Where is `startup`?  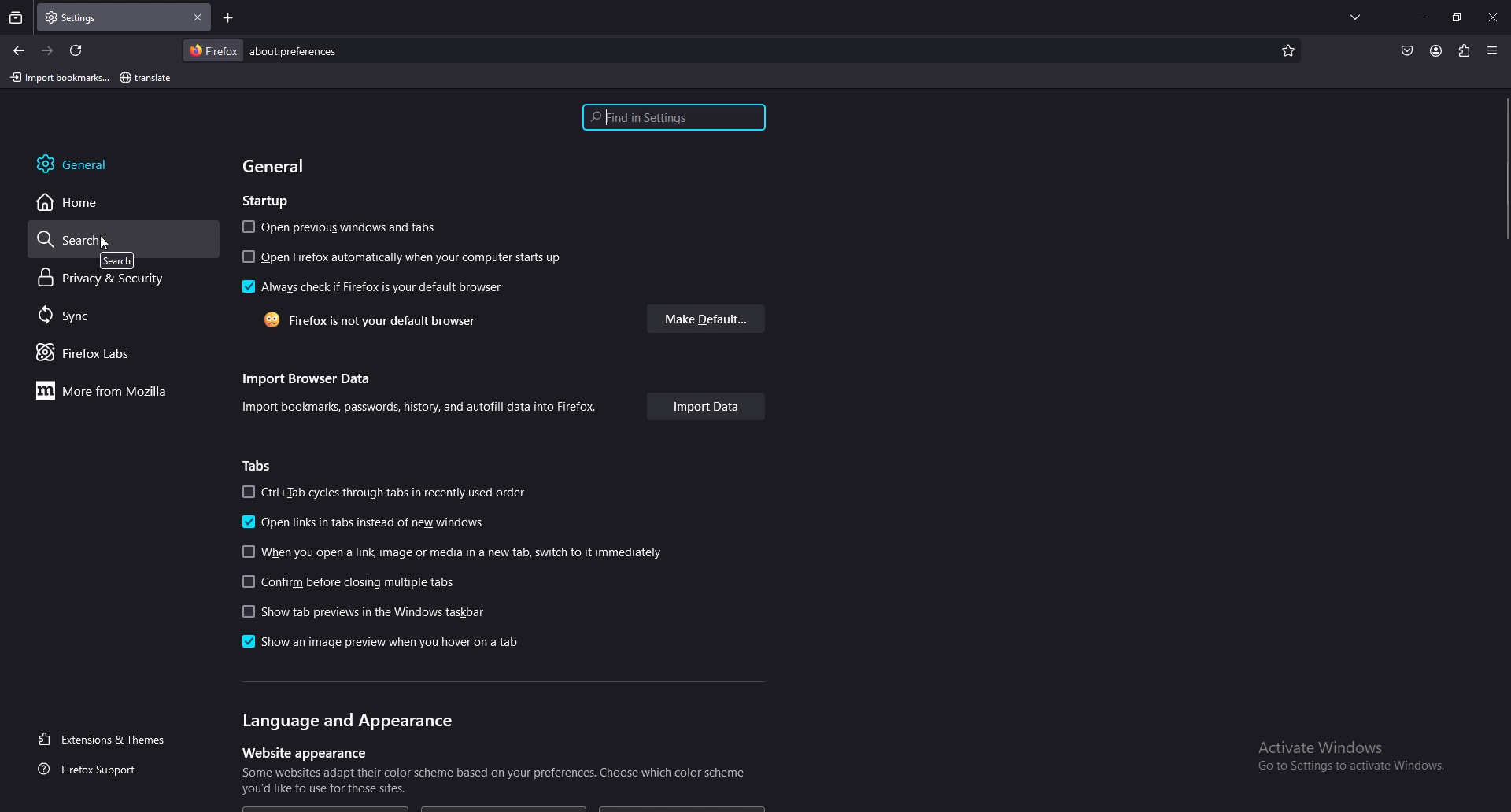 startup is located at coordinates (270, 201).